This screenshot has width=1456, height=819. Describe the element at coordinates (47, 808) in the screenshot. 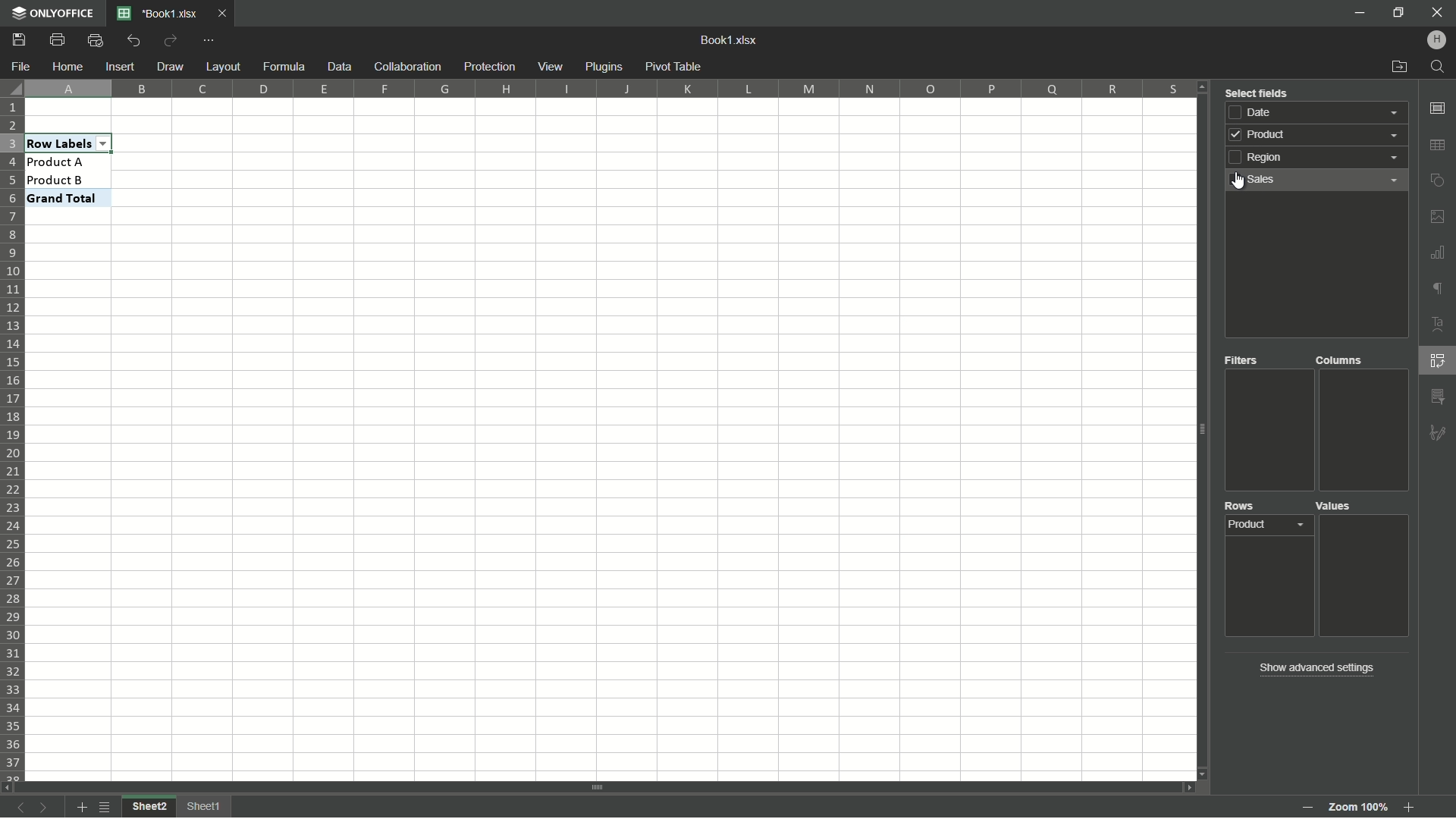

I see `next sheet` at that location.